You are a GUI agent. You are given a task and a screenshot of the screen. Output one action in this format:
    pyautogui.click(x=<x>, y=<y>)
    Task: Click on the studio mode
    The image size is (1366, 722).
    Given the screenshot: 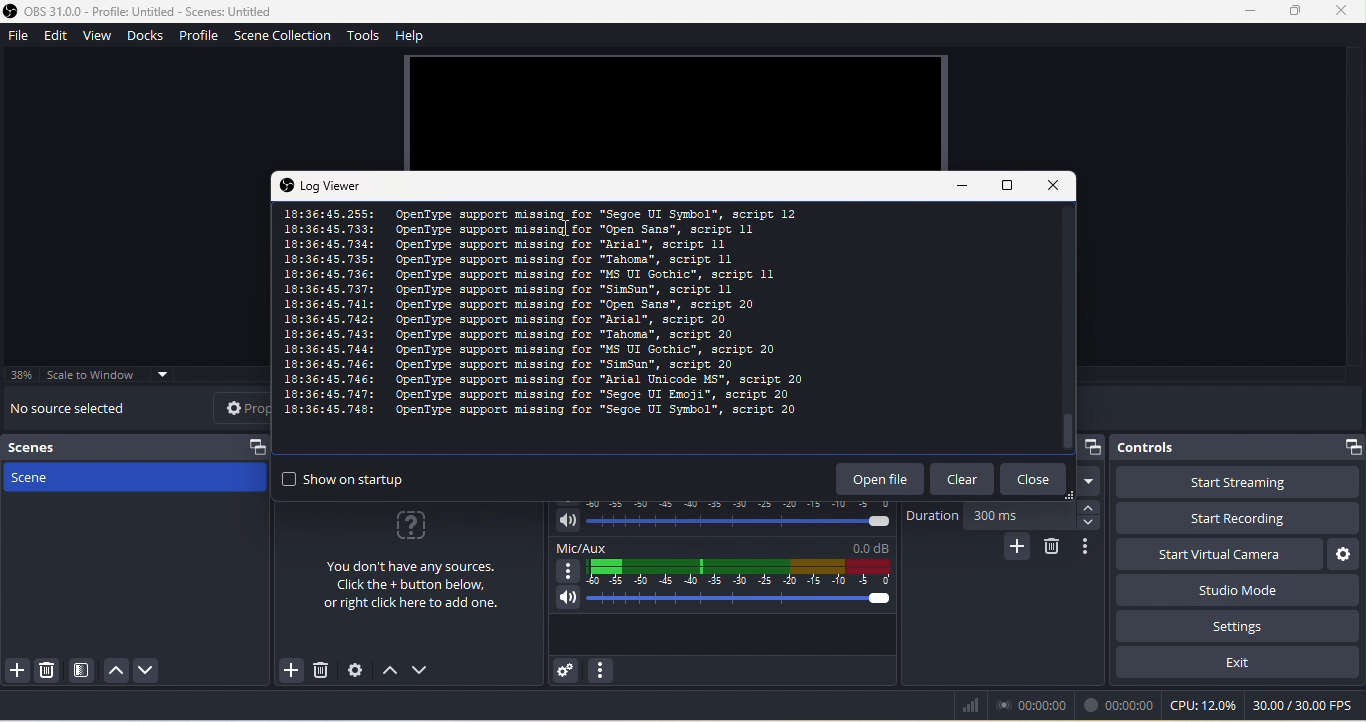 What is the action you would take?
    pyautogui.click(x=1237, y=589)
    